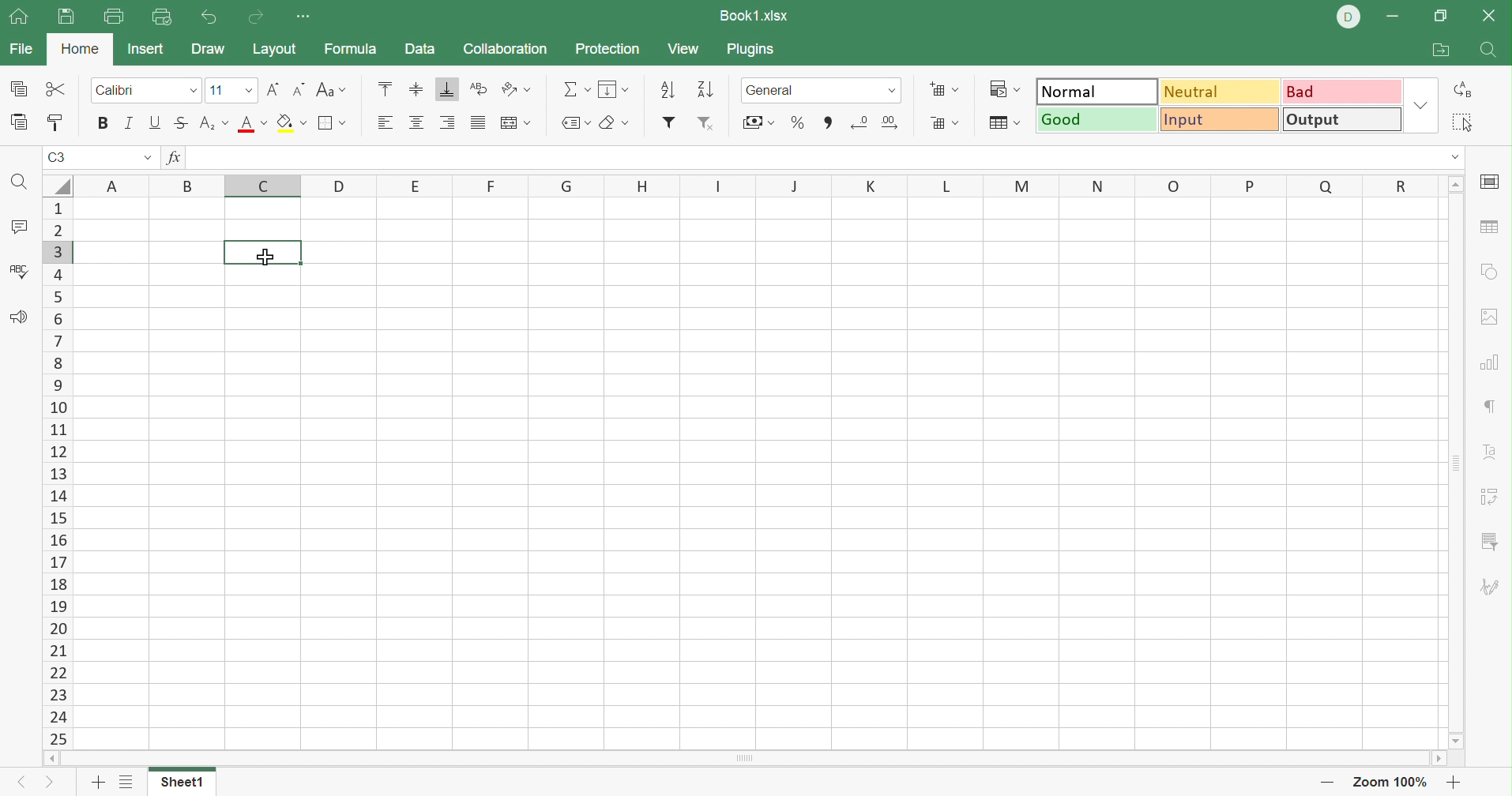 This screenshot has height=796, width=1512. Describe the element at coordinates (303, 17) in the screenshot. I see `Customize Quick Access Toolbar` at that location.